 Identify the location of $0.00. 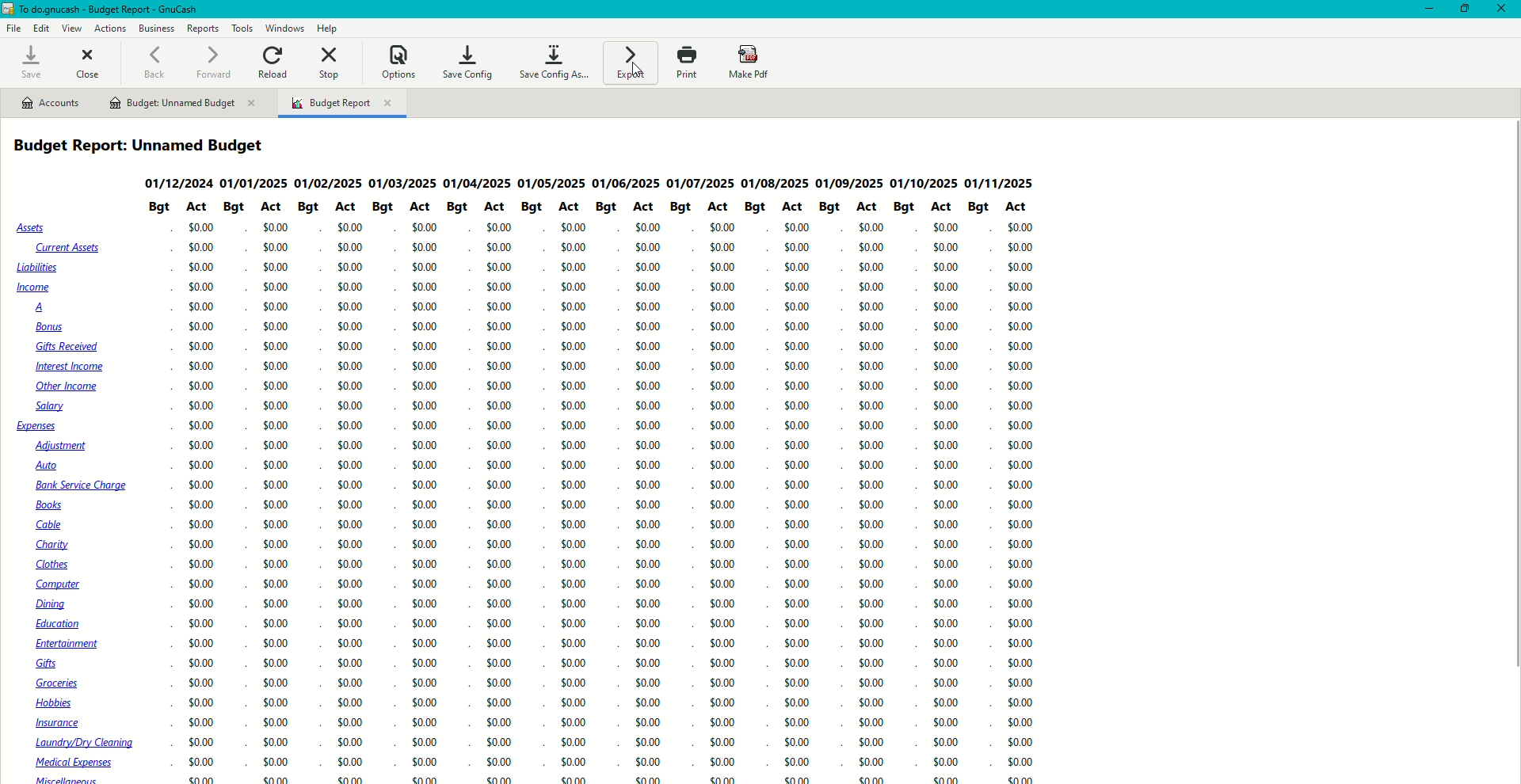
(425, 466).